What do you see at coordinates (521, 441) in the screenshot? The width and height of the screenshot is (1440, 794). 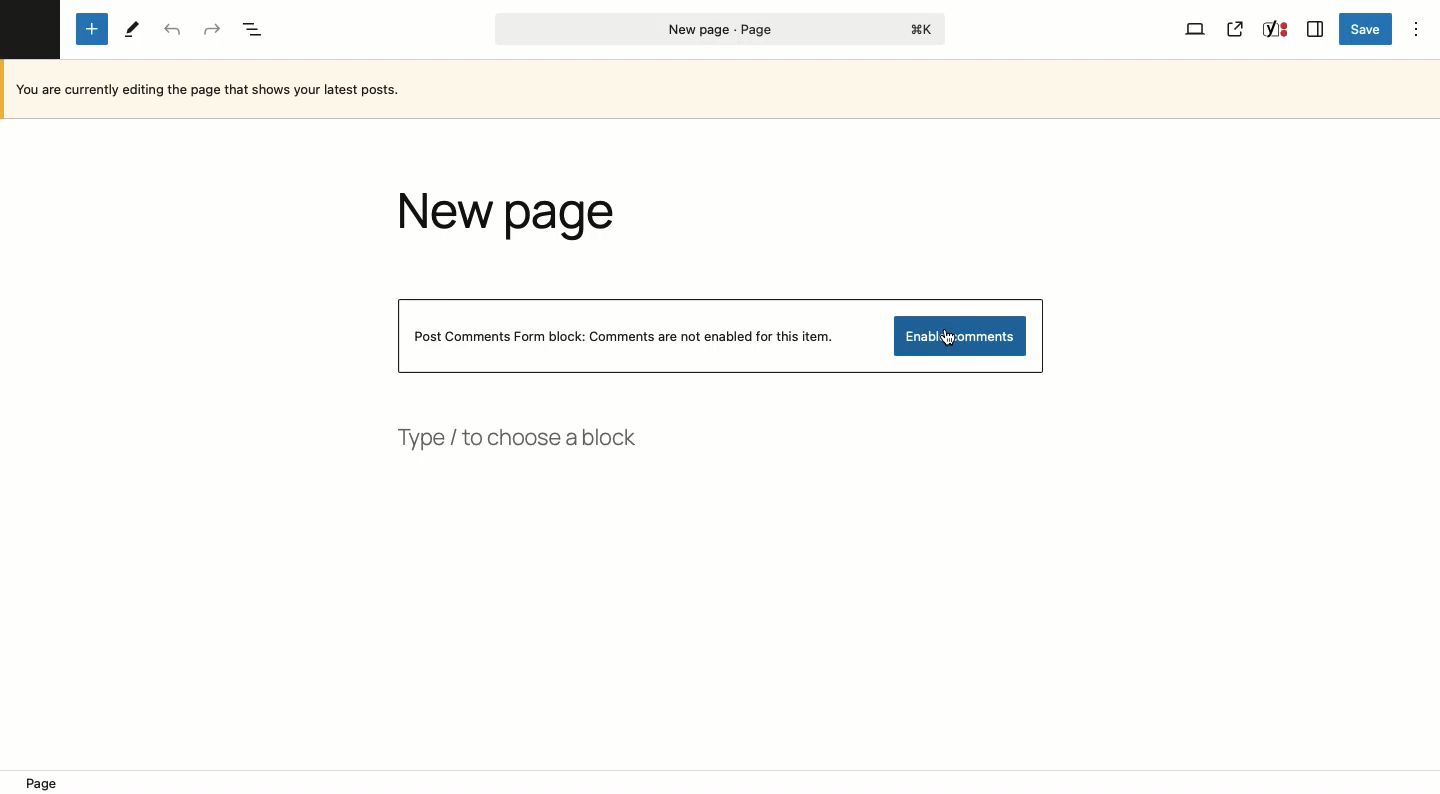 I see `Type / to choose a block` at bounding box center [521, 441].